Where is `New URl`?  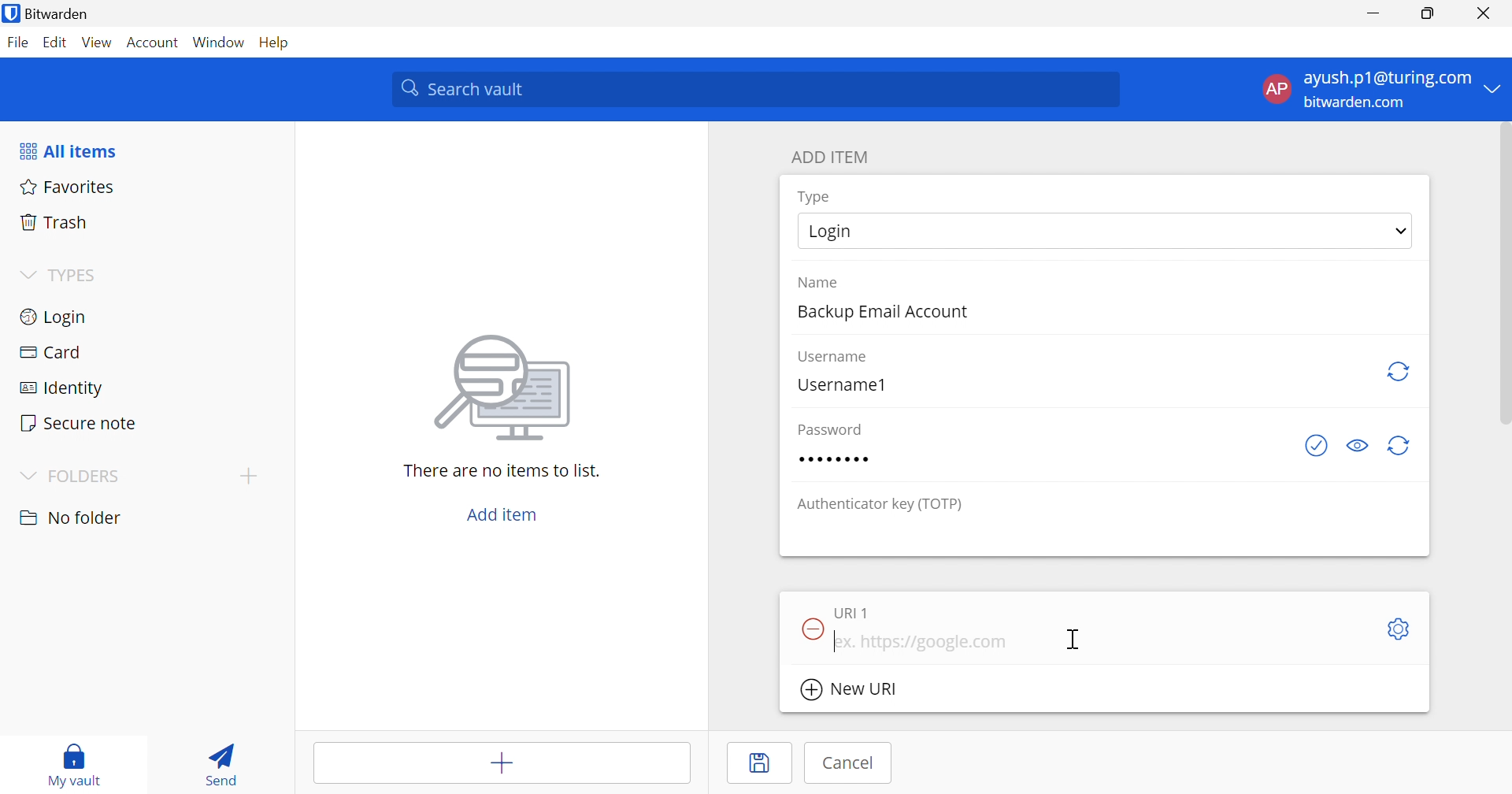 New URl is located at coordinates (849, 690).